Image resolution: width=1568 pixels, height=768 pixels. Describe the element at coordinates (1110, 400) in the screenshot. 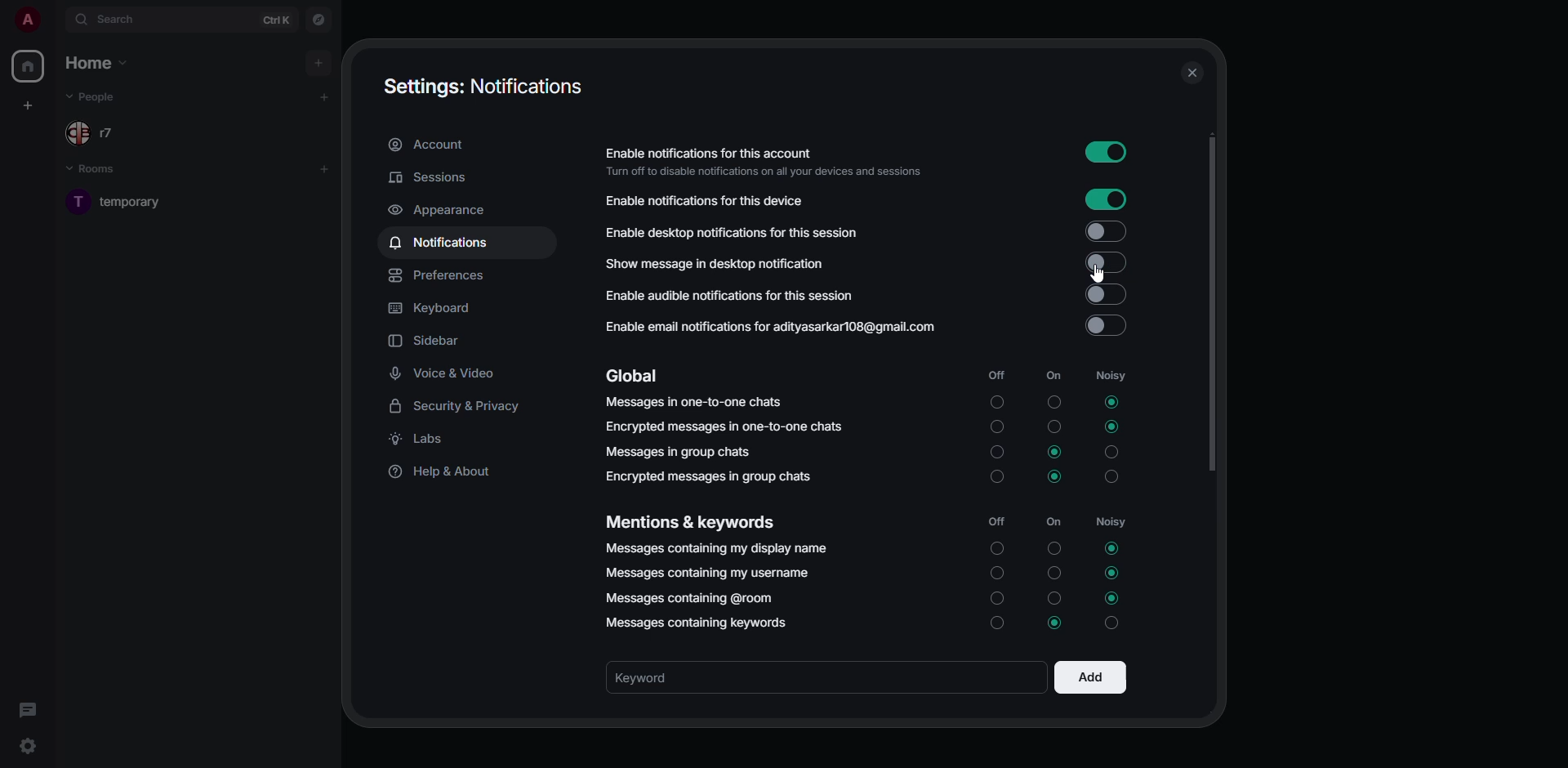

I see `selected` at that location.